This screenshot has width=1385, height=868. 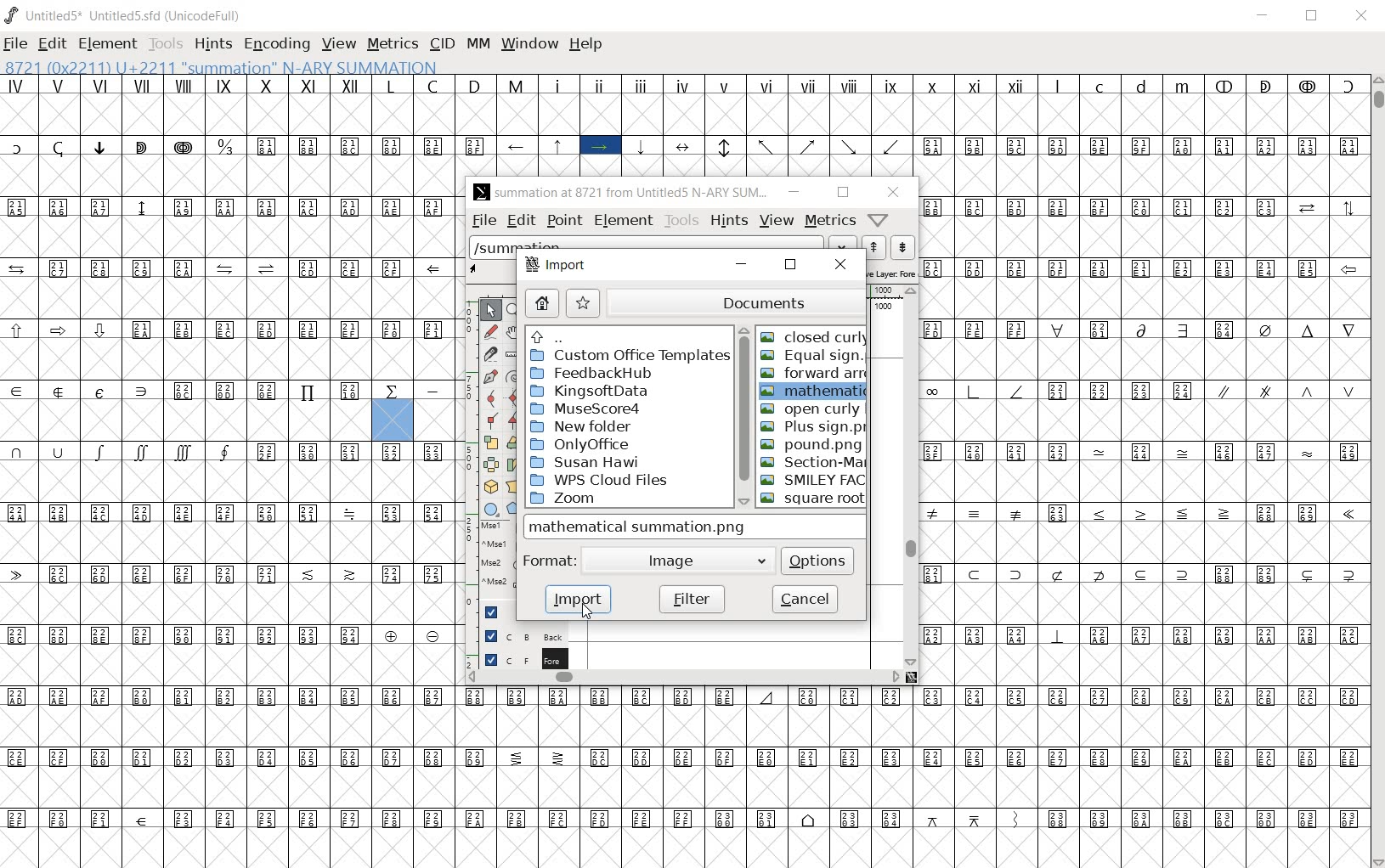 I want to click on minimize, so click(x=794, y=193).